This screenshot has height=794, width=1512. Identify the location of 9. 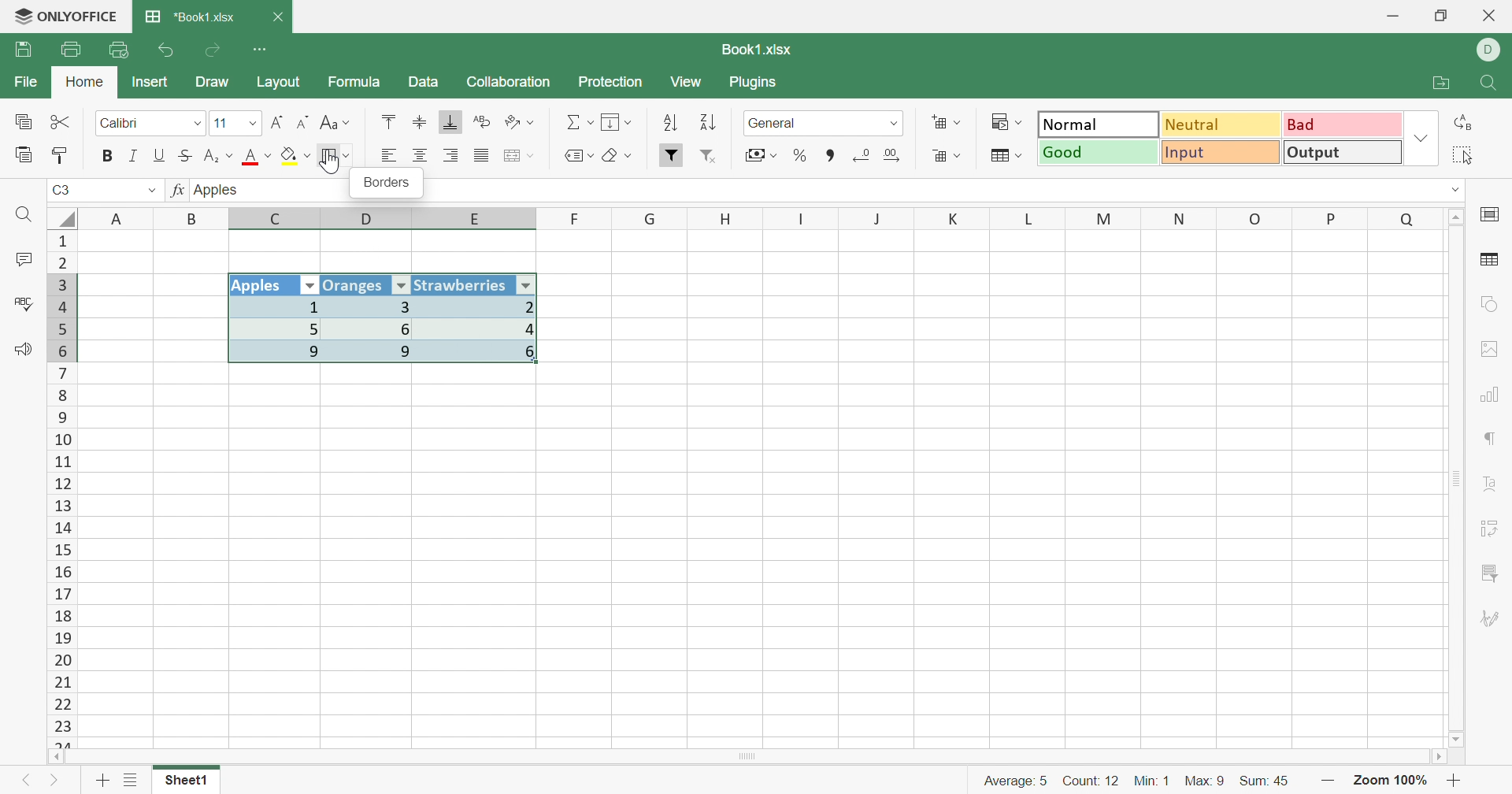
(377, 353).